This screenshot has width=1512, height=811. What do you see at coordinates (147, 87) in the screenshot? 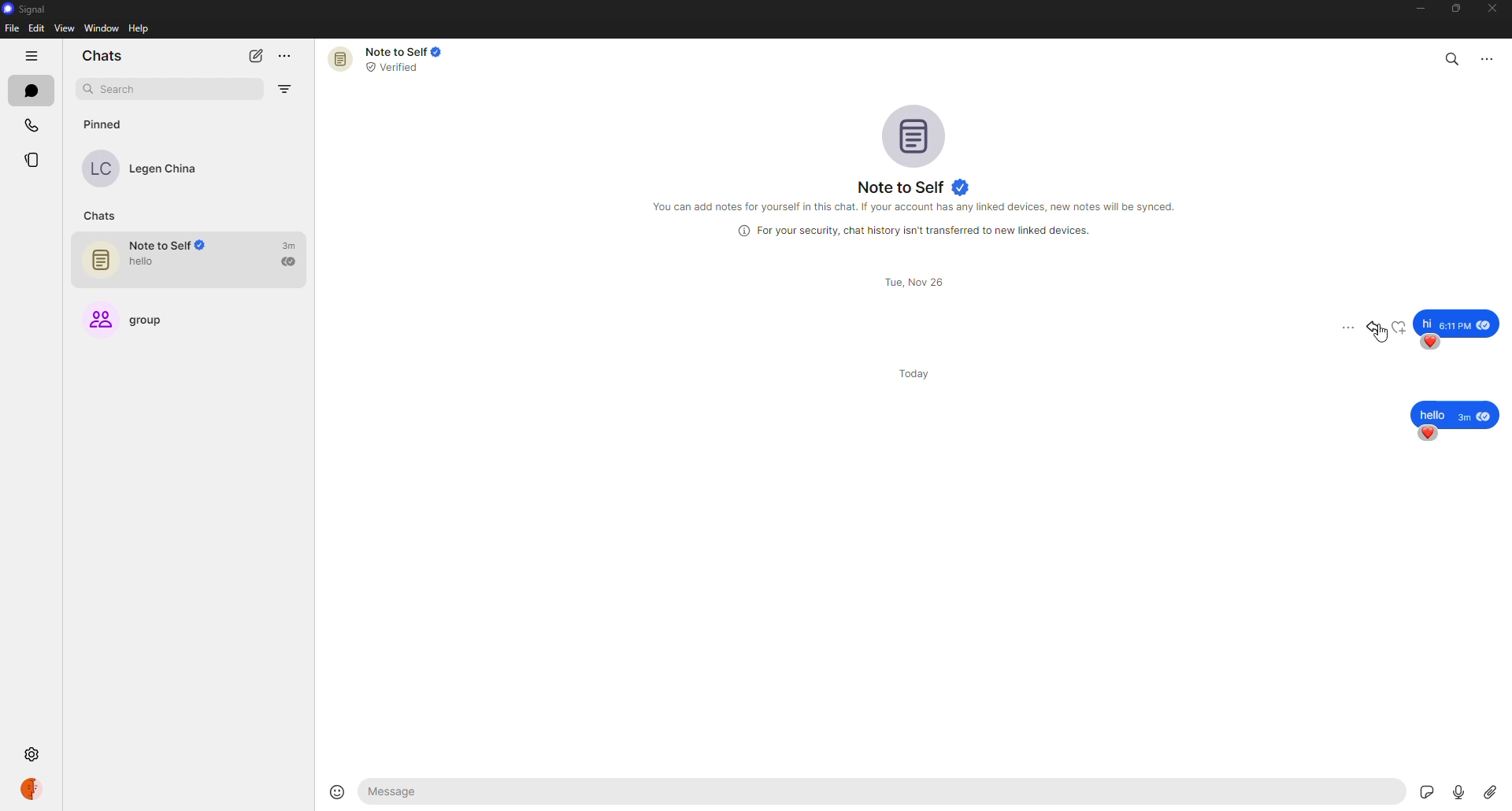
I see `search` at bounding box center [147, 87].